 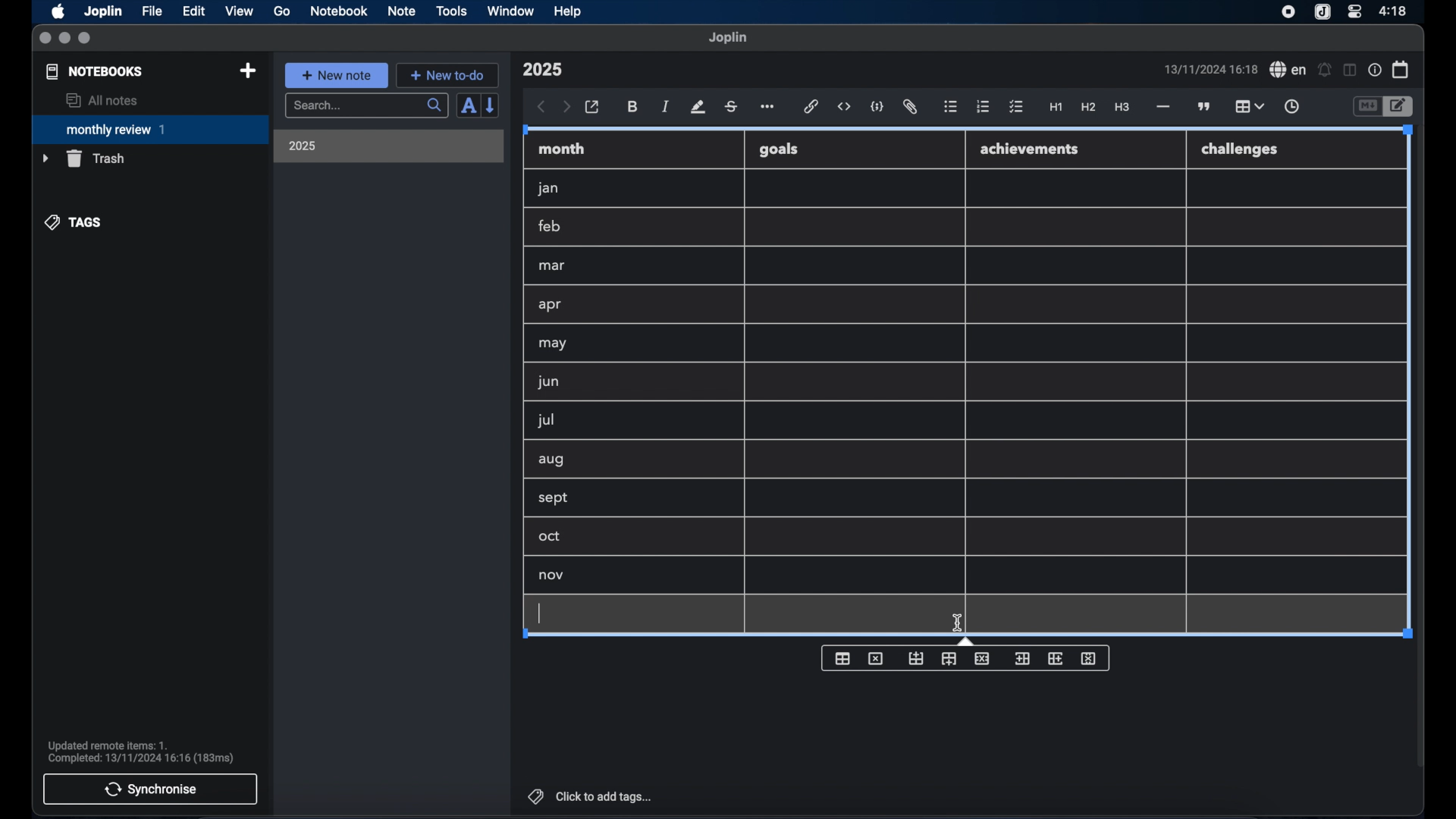 I want to click on jul, so click(x=544, y=421).